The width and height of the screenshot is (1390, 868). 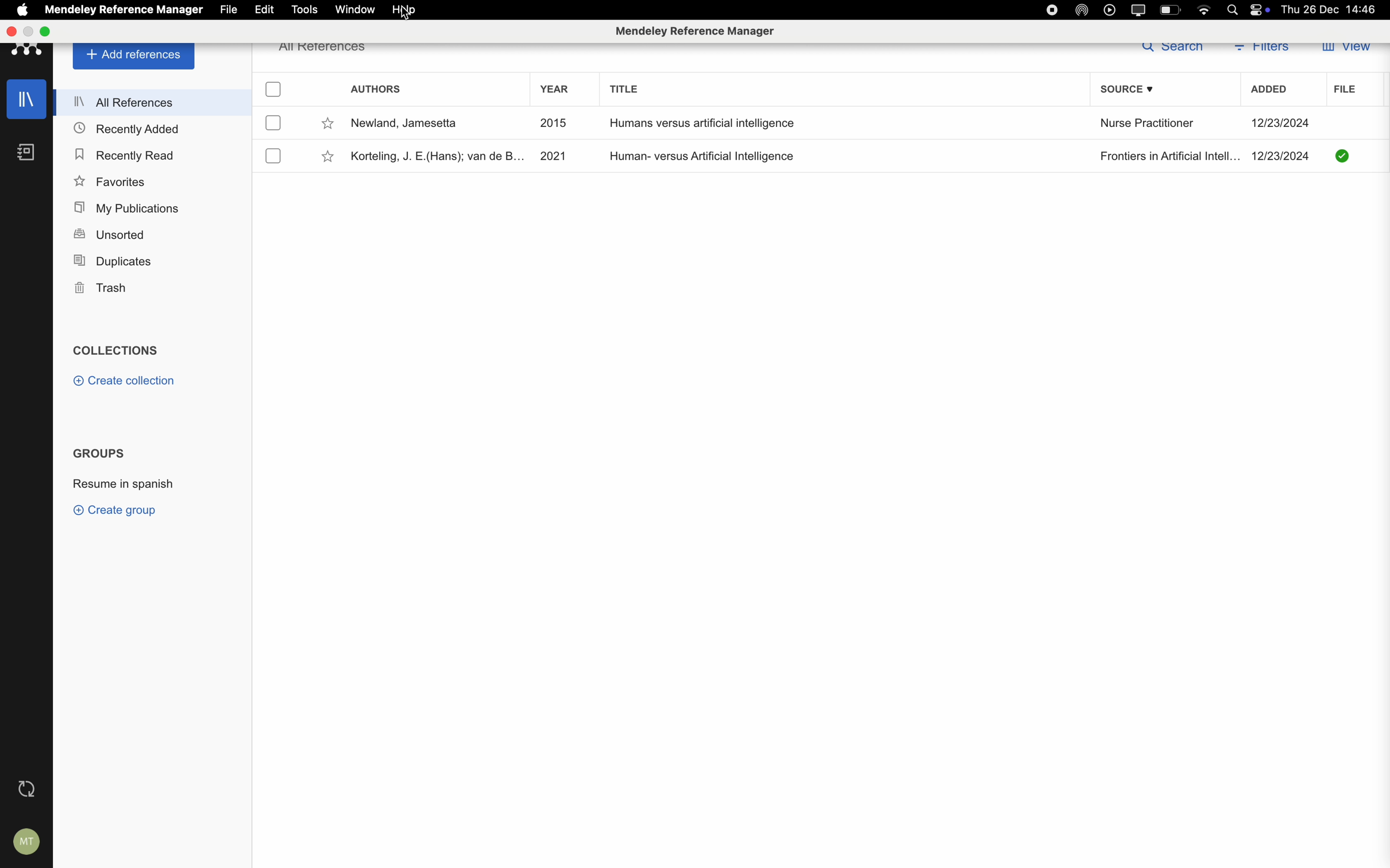 I want to click on Human- versus Artificial Intelligence, so click(x=700, y=157).